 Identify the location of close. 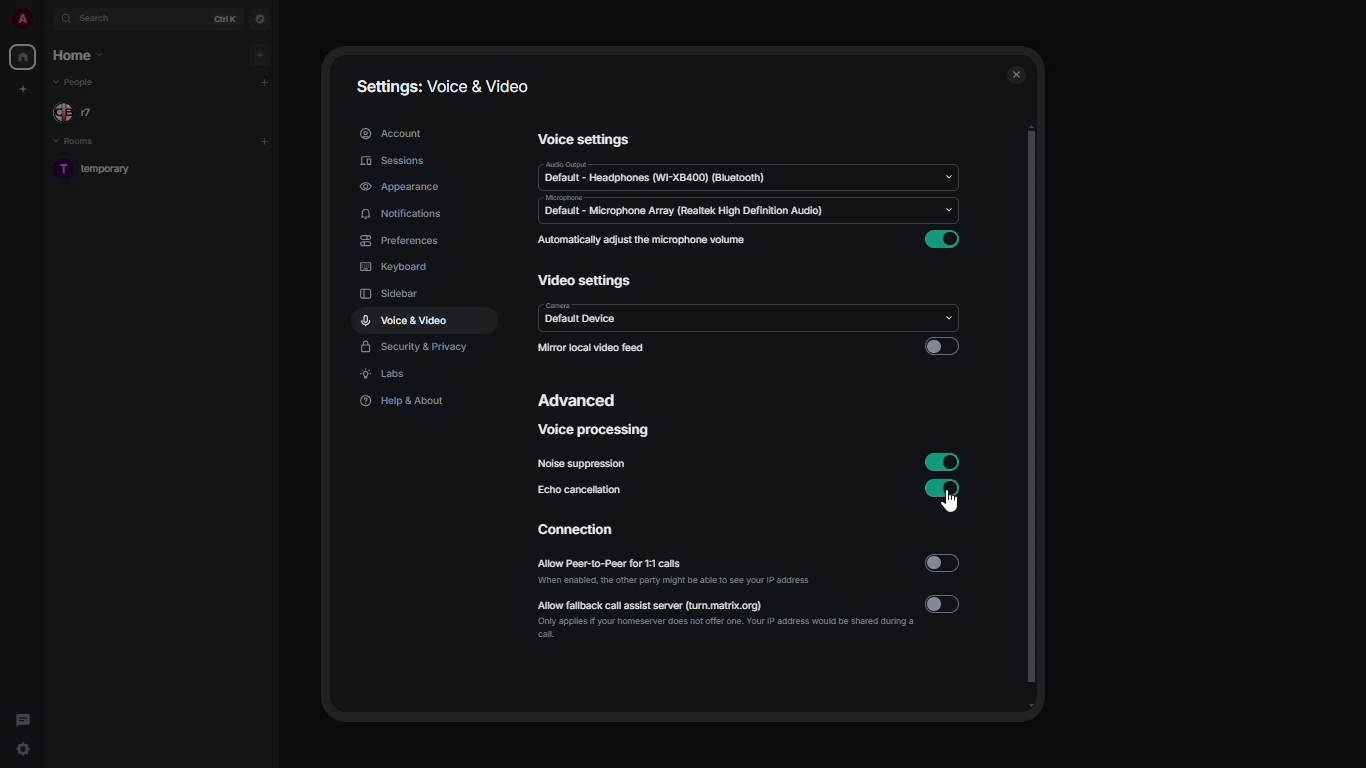
(1016, 76).